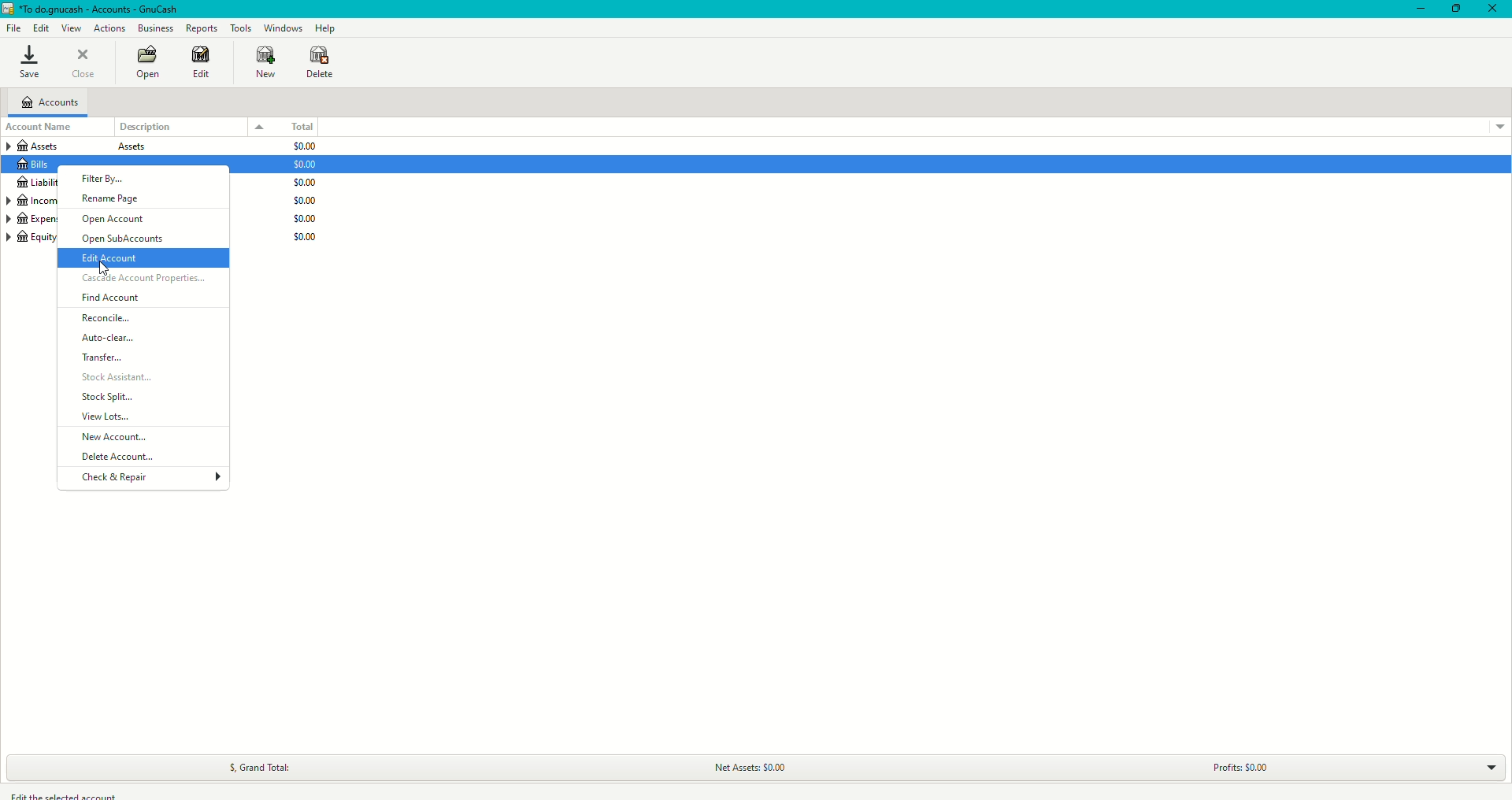 Image resolution: width=1512 pixels, height=800 pixels. Describe the element at coordinates (31, 218) in the screenshot. I see `Expenses` at that location.